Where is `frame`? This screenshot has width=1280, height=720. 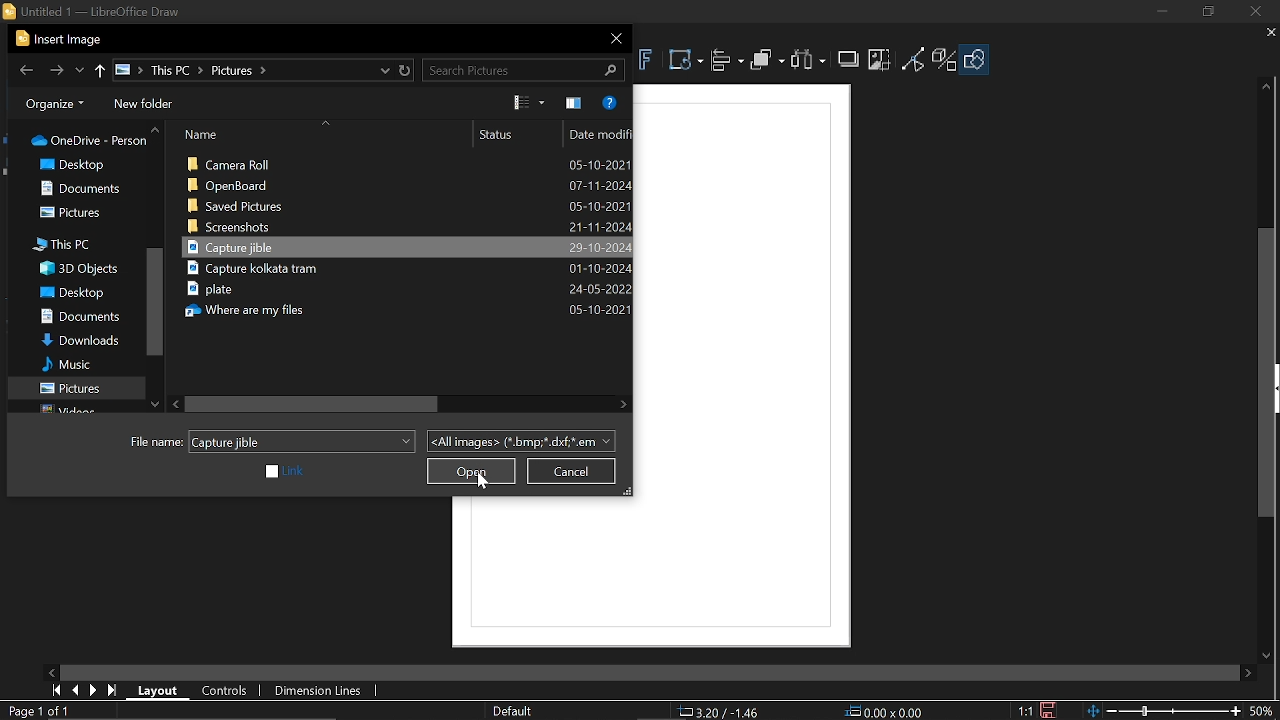 frame is located at coordinates (749, 368).